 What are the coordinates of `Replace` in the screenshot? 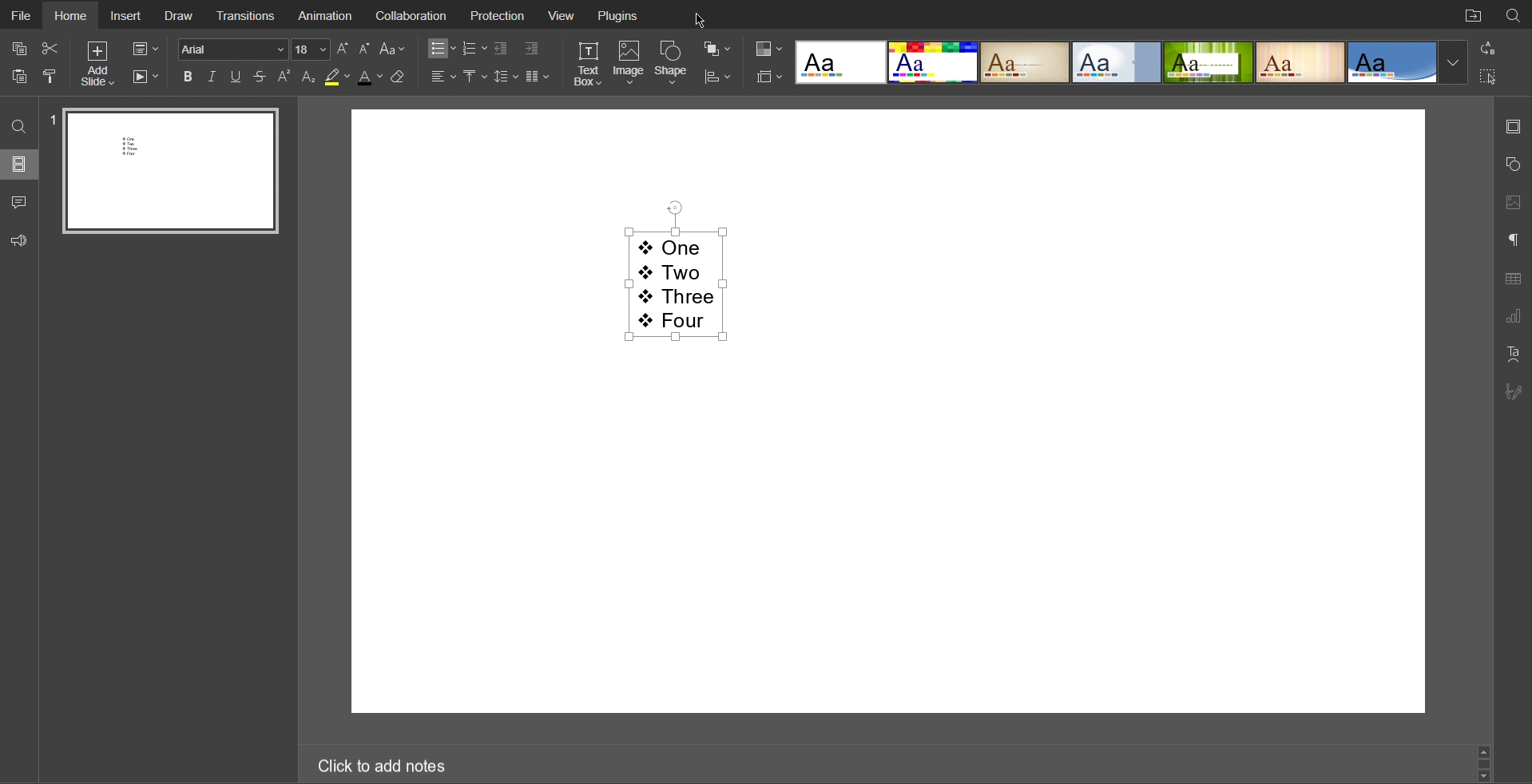 It's located at (1485, 49).